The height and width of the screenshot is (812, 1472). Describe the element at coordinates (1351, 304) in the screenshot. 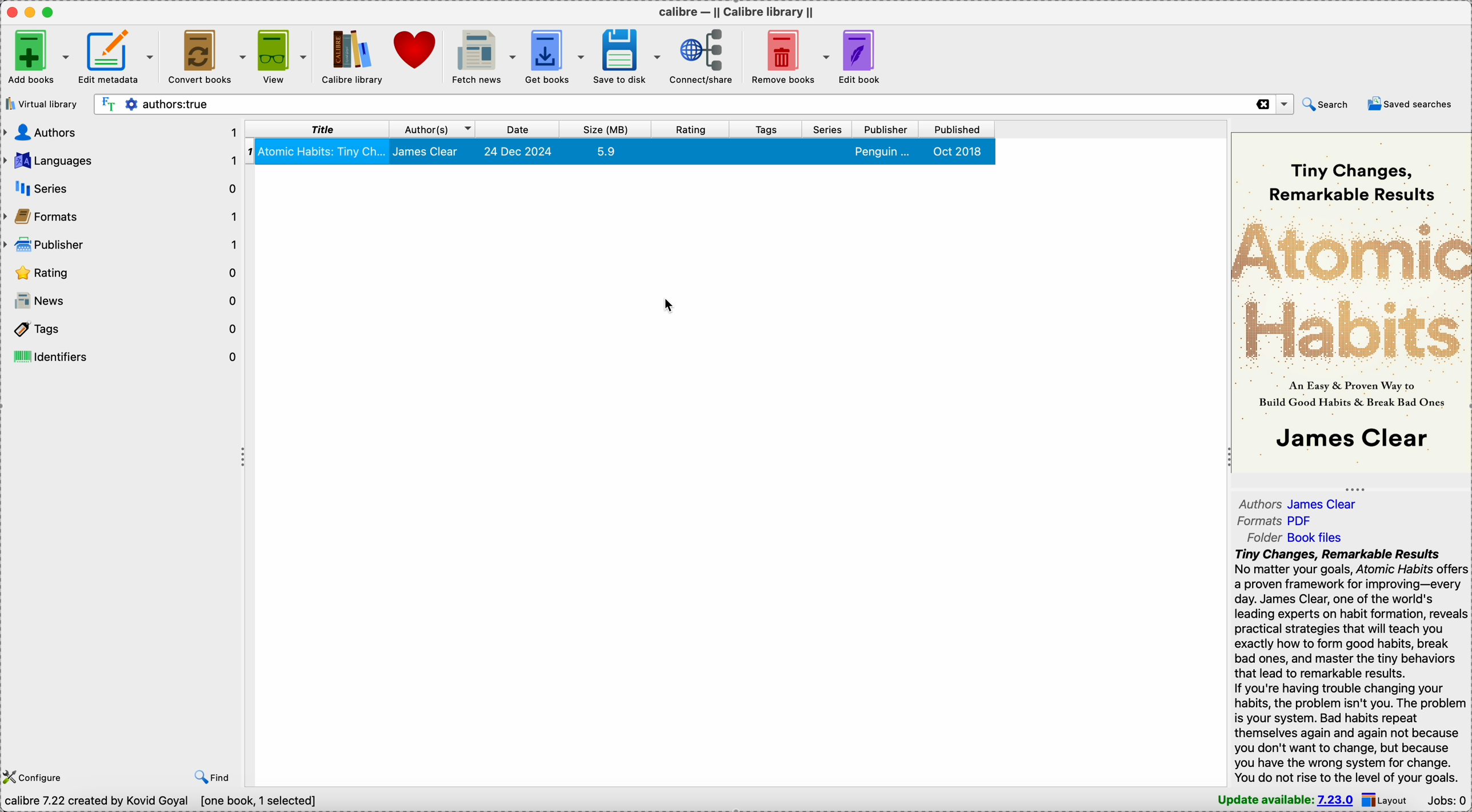

I see `Atomic Habits - book cover preview` at that location.